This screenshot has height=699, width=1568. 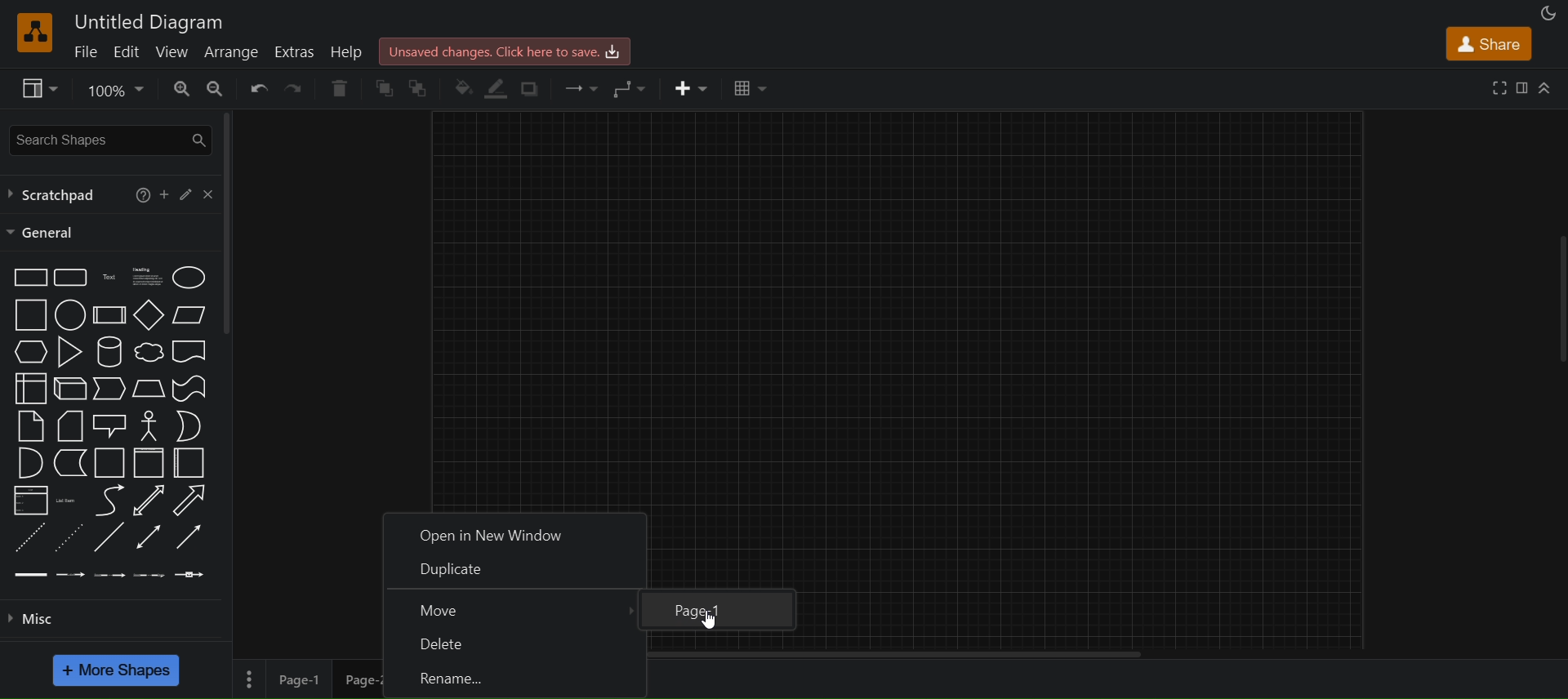 What do you see at coordinates (107, 315) in the screenshot?
I see `process` at bounding box center [107, 315].